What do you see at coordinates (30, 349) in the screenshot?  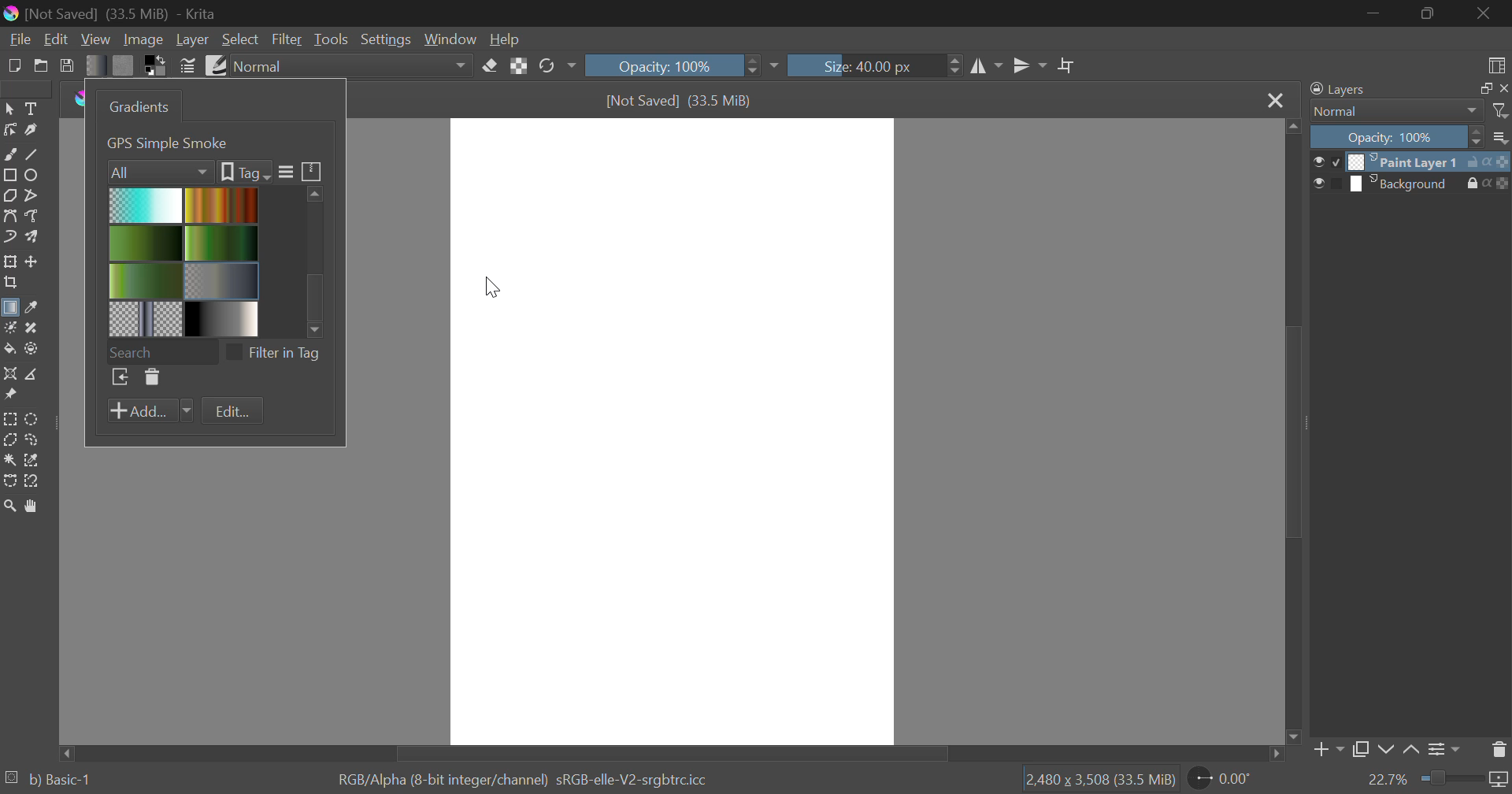 I see `Enclose and Fill` at bounding box center [30, 349].